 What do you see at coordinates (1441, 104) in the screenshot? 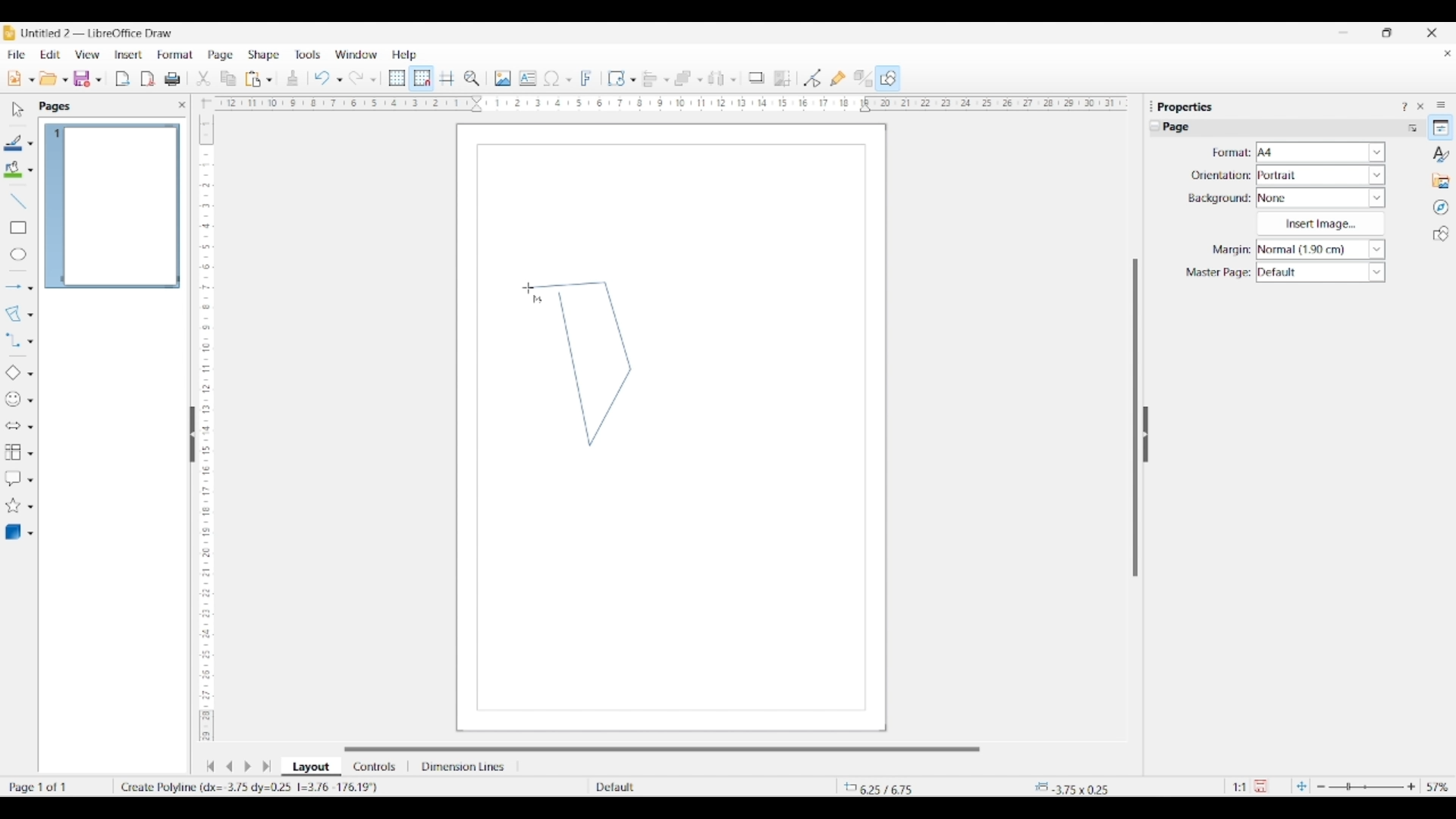
I see `Sidebar settings` at bounding box center [1441, 104].